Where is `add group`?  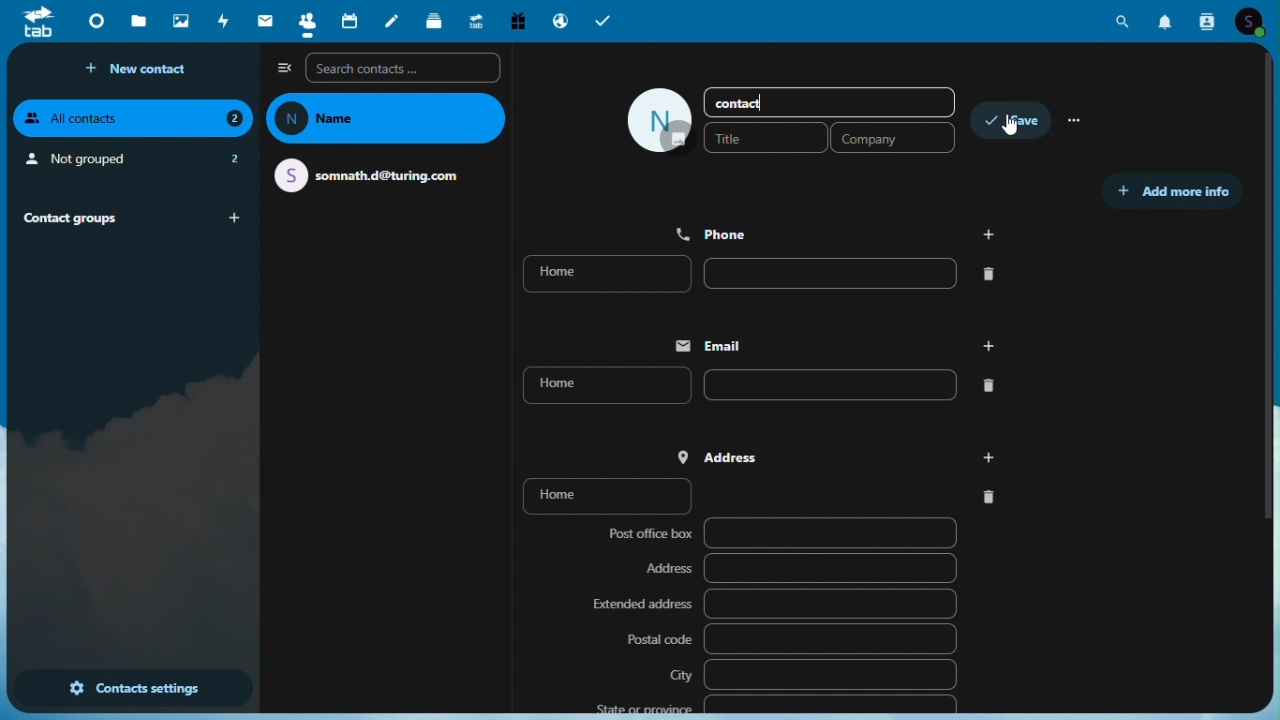
add group is located at coordinates (237, 218).